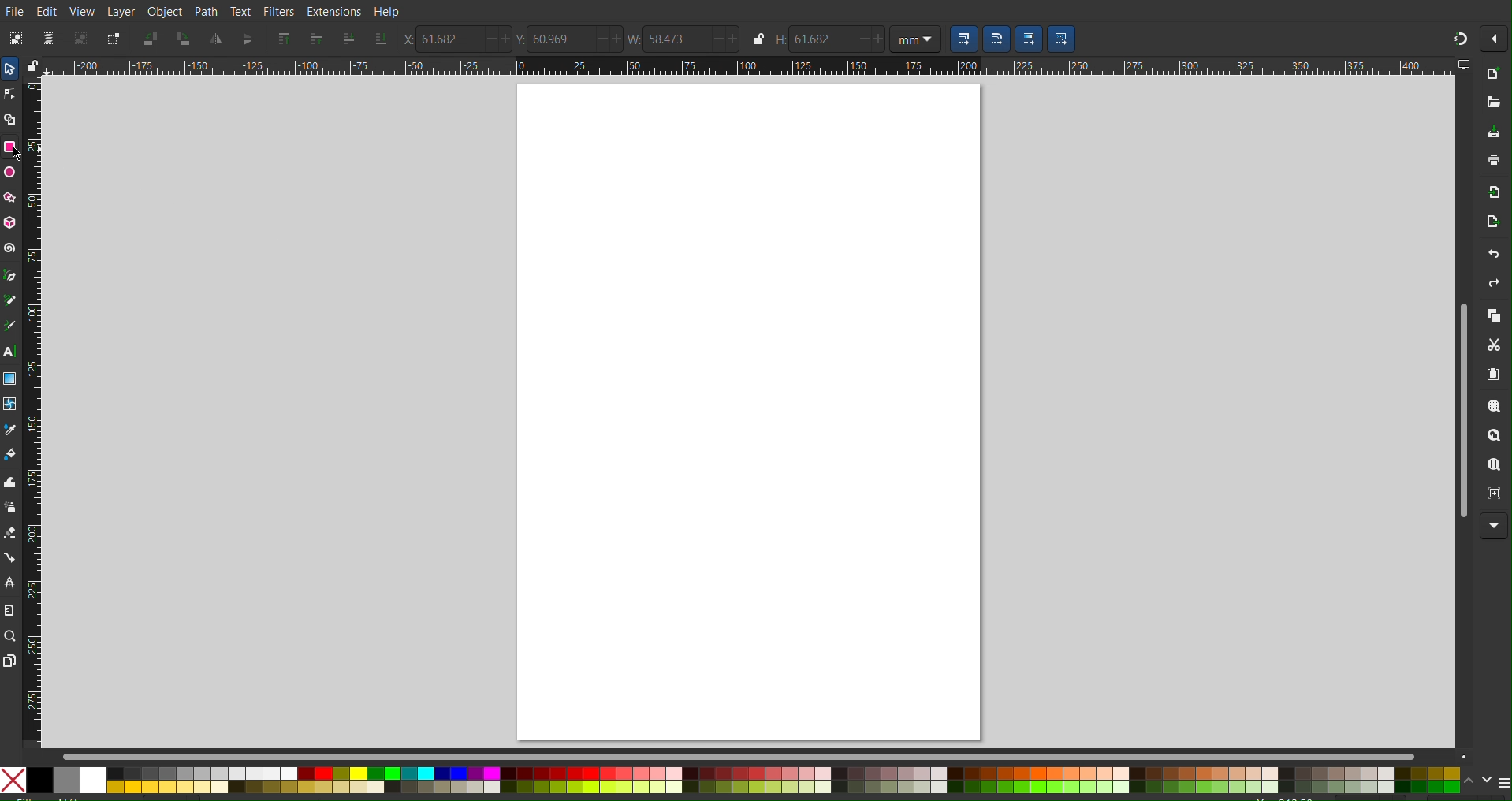 The height and width of the screenshot is (801, 1512). What do you see at coordinates (10, 457) in the screenshot?
I see `Fill Color` at bounding box center [10, 457].